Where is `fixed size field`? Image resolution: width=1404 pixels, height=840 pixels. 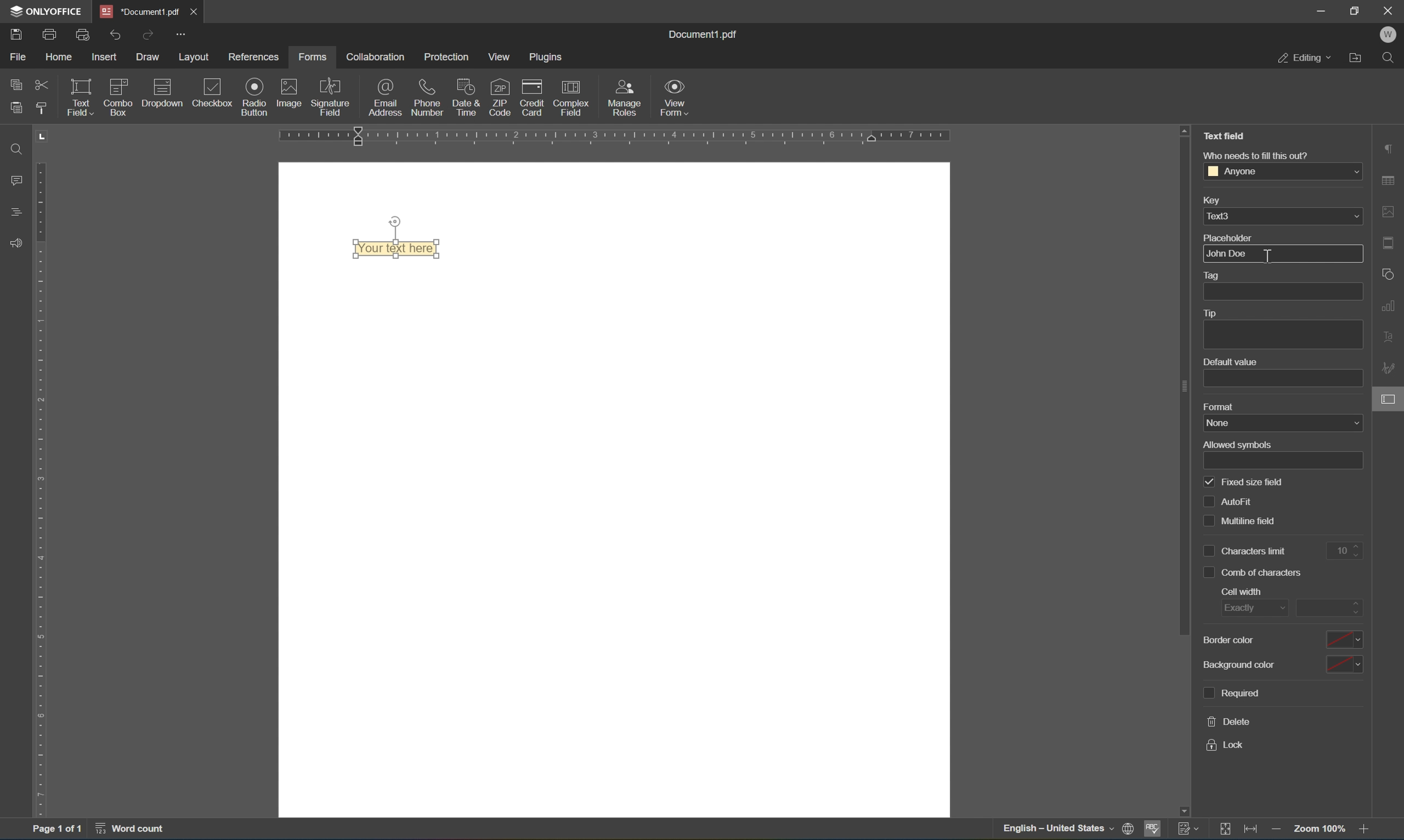 fixed size field is located at coordinates (1245, 482).